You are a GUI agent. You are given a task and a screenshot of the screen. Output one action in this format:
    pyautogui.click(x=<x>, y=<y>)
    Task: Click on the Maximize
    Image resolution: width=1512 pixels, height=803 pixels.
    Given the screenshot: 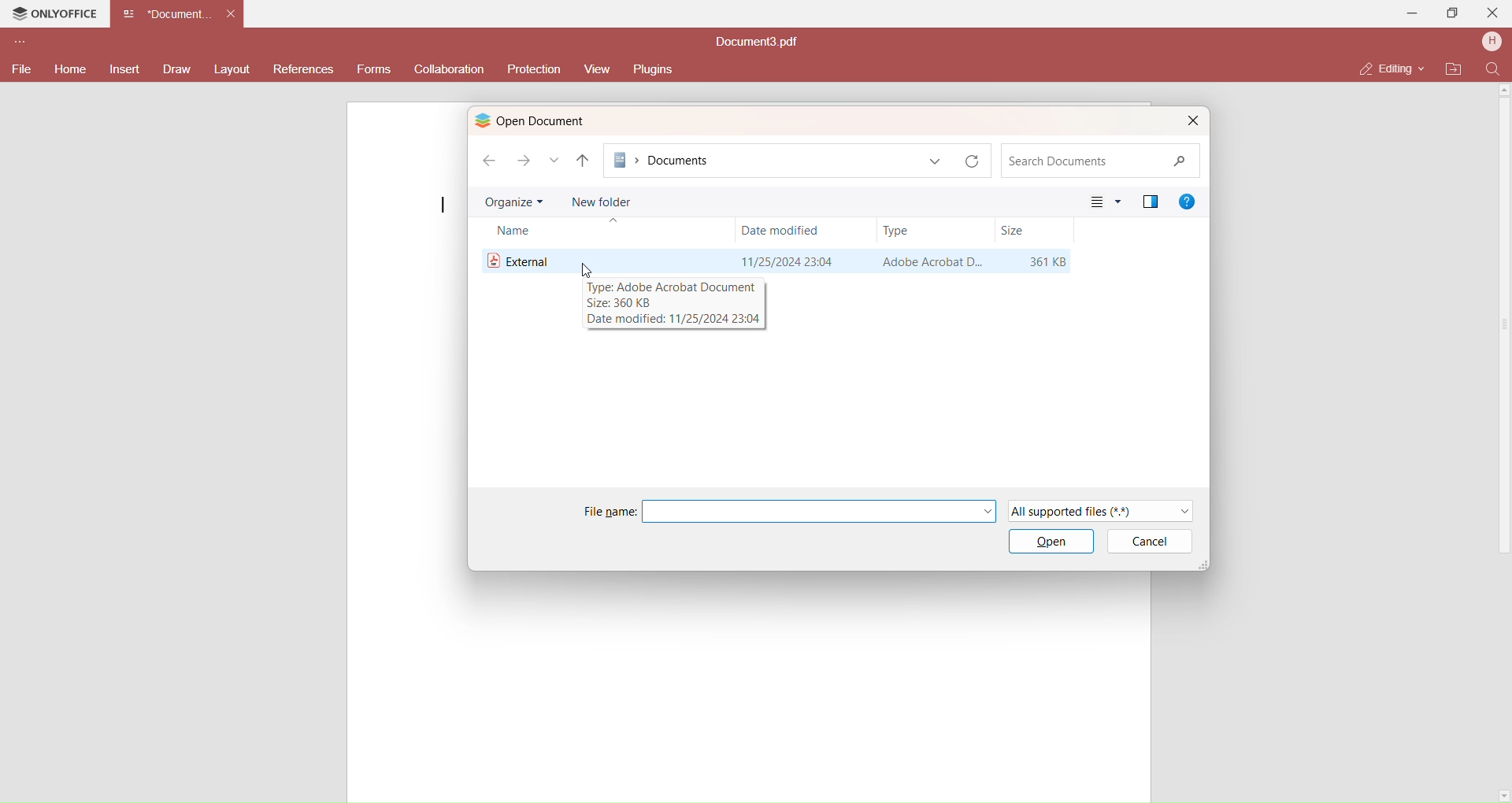 What is the action you would take?
    pyautogui.click(x=1454, y=16)
    